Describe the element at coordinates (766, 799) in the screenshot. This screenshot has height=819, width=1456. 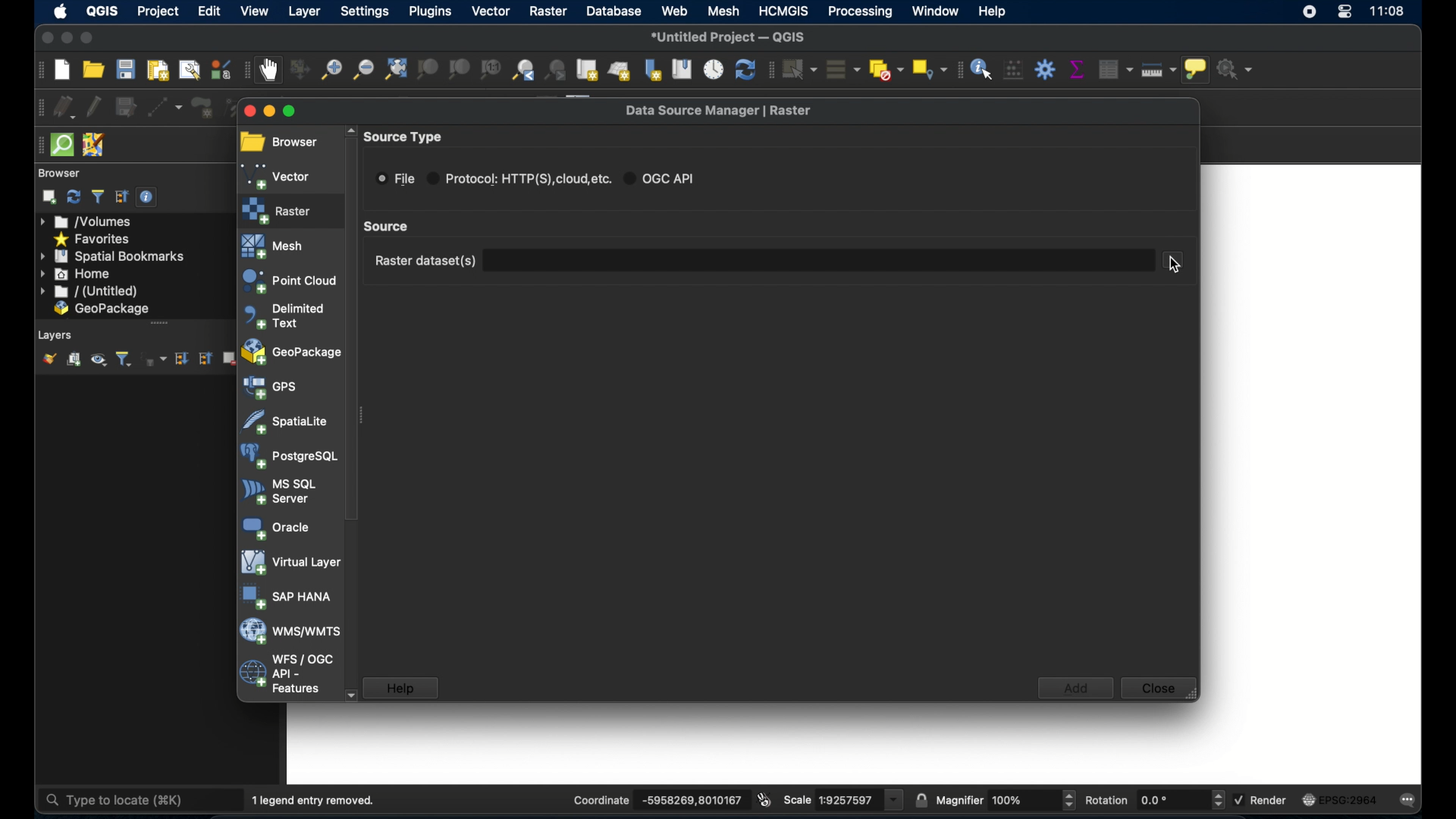
I see `toggle extents and mouse position display` at that location.